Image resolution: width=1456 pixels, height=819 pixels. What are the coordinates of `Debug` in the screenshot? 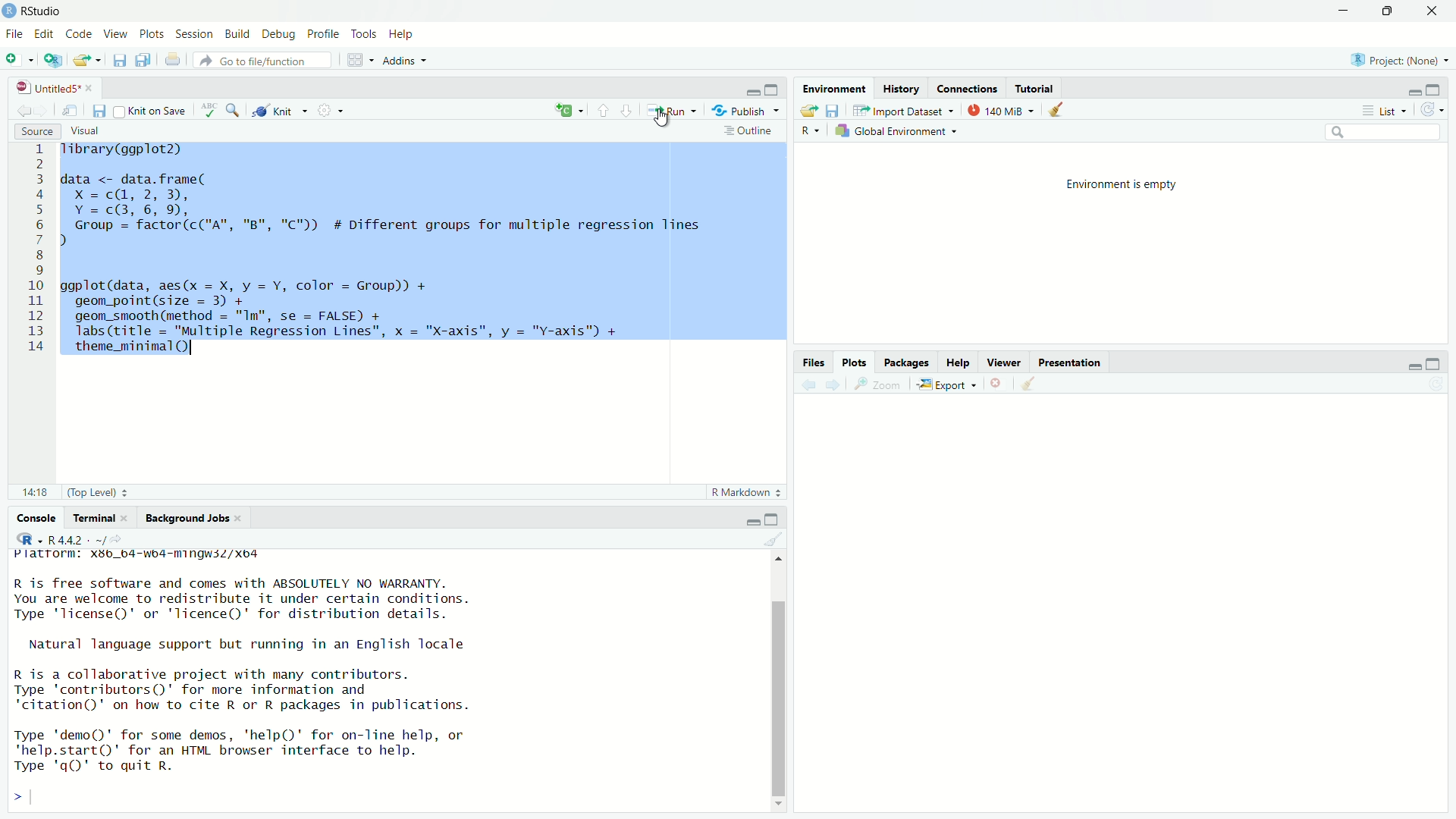 It's located at (278, 35).